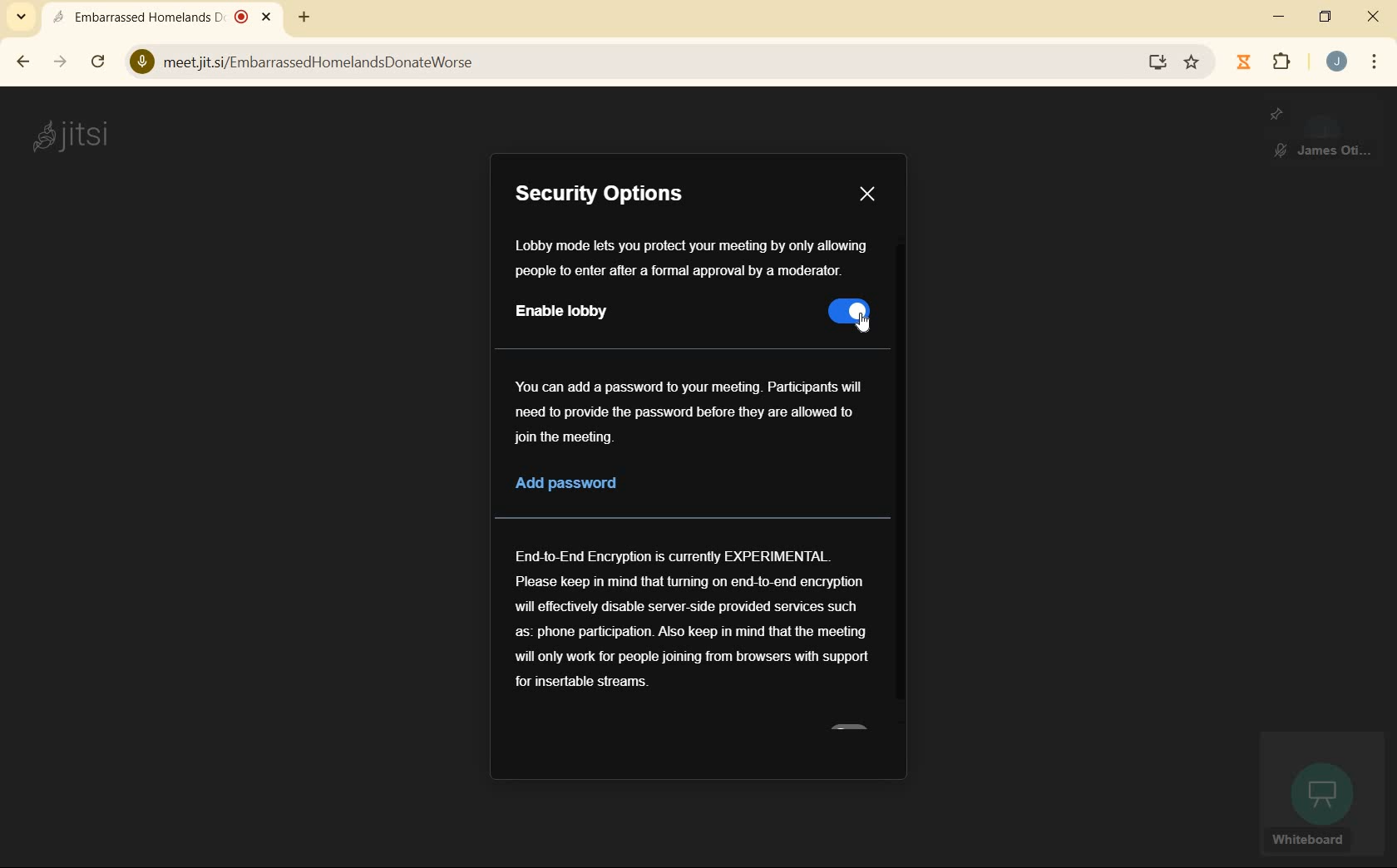 The image size is (1397, 868). I want to click on Instructions on lobby mode, so click(691, 259).